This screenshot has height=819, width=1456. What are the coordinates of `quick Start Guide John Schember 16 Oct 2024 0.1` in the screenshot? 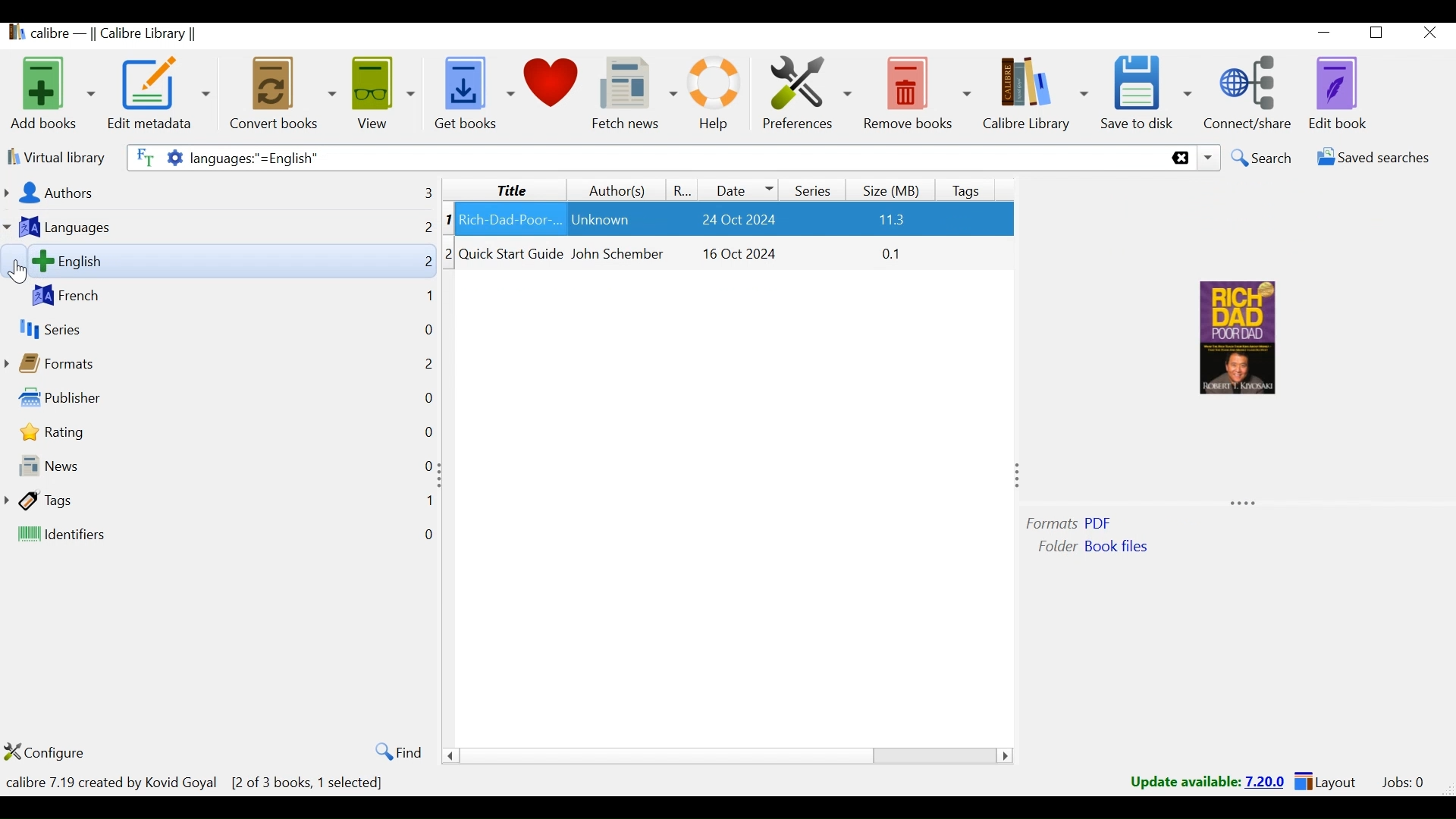 It's located at (736, 295).